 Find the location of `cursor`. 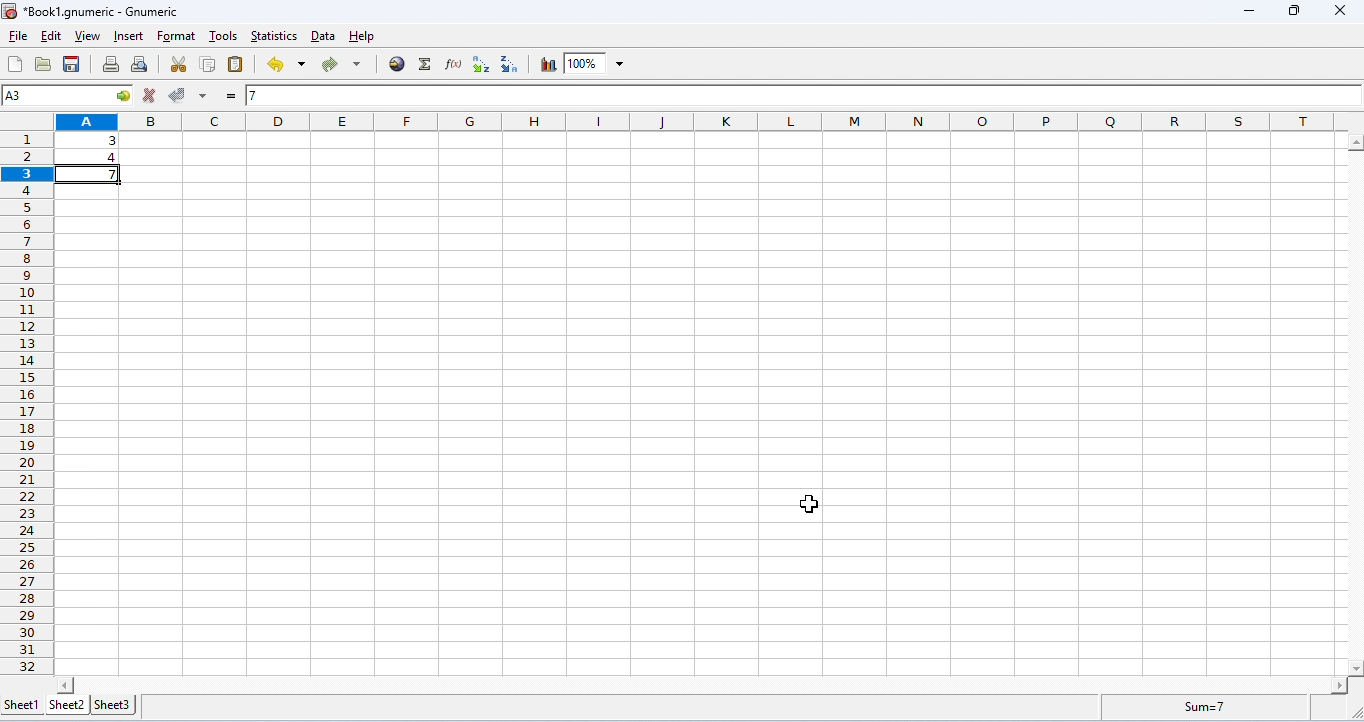

cursor is located at coordinates (809, 506).